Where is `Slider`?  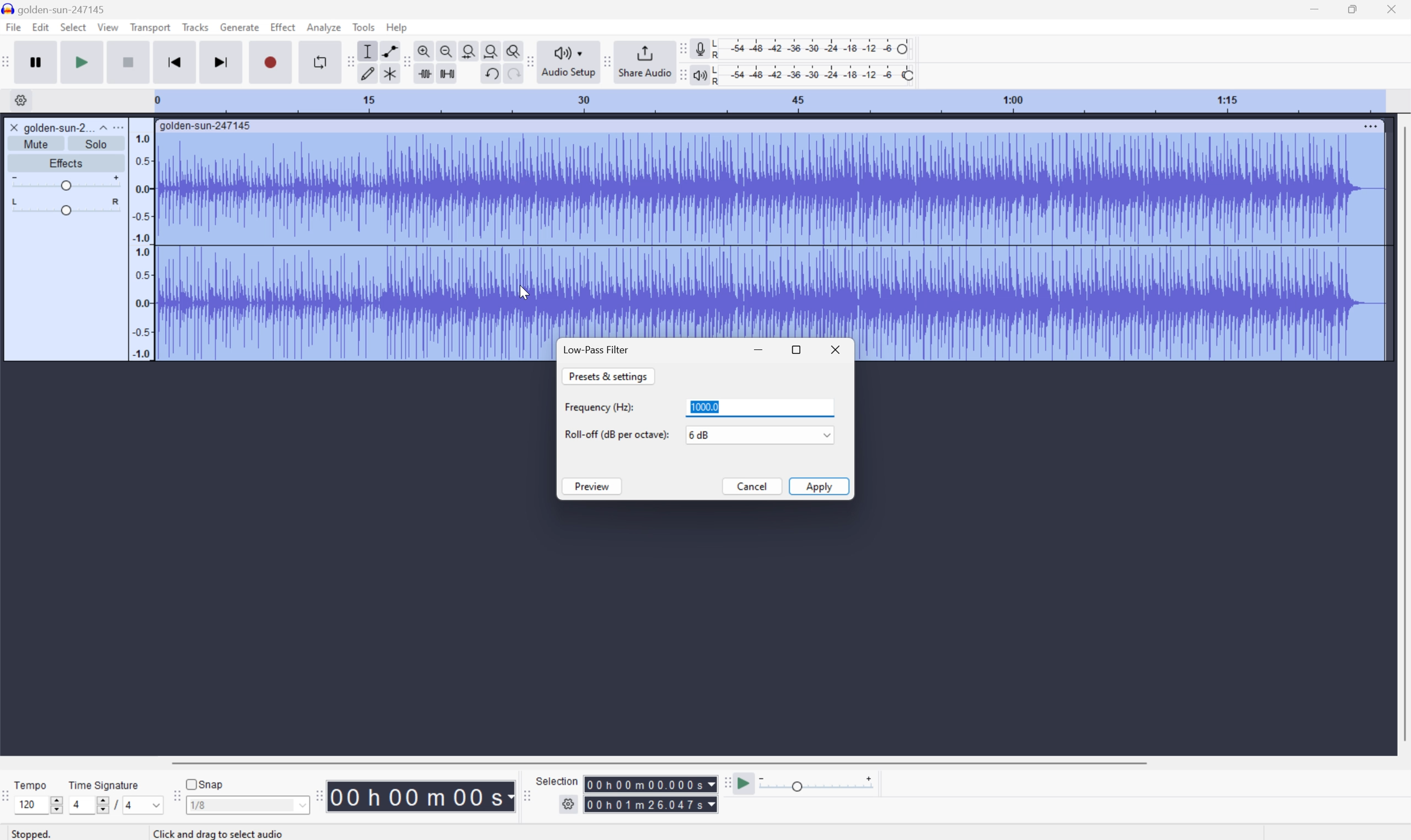 Slider is located at coordinates (65, 181).